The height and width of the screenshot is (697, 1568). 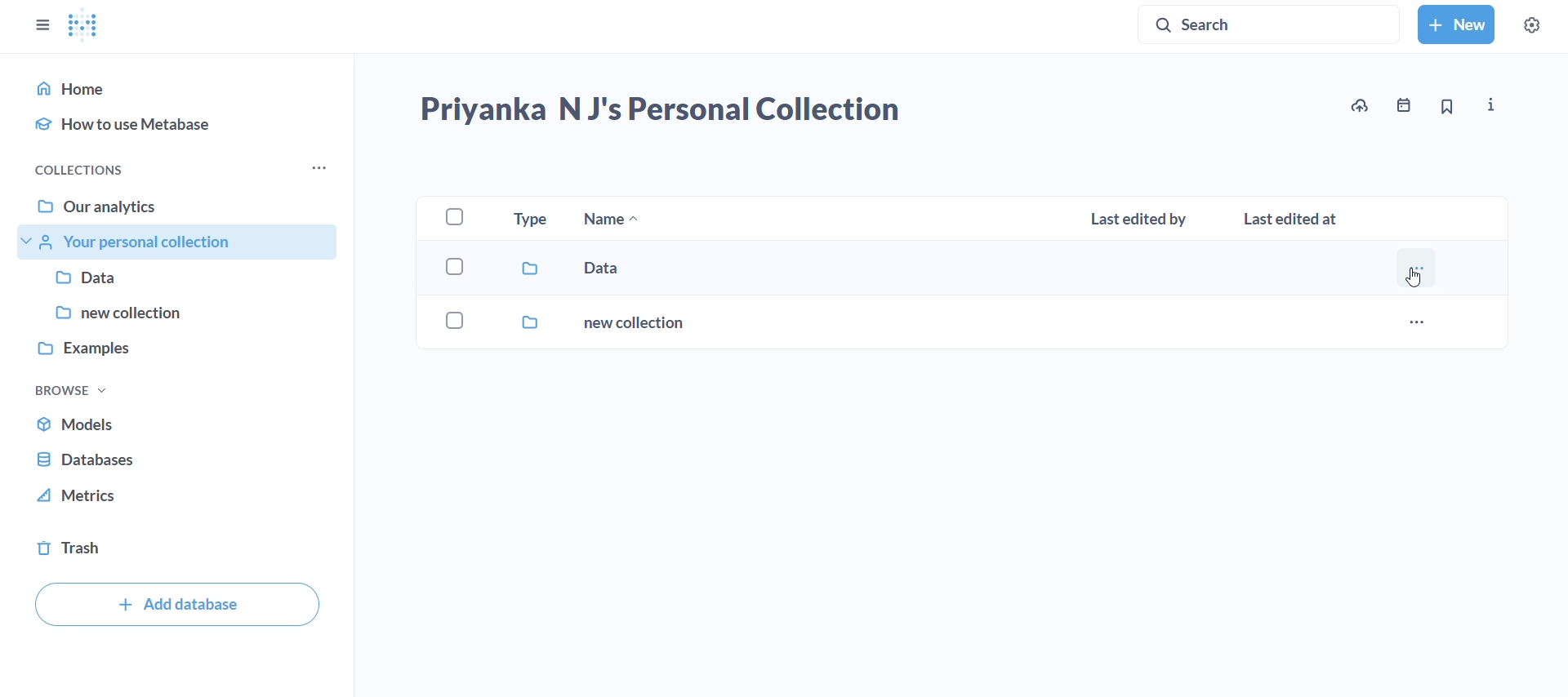 I want to click on last edited at , so click(x=1294, y=220).